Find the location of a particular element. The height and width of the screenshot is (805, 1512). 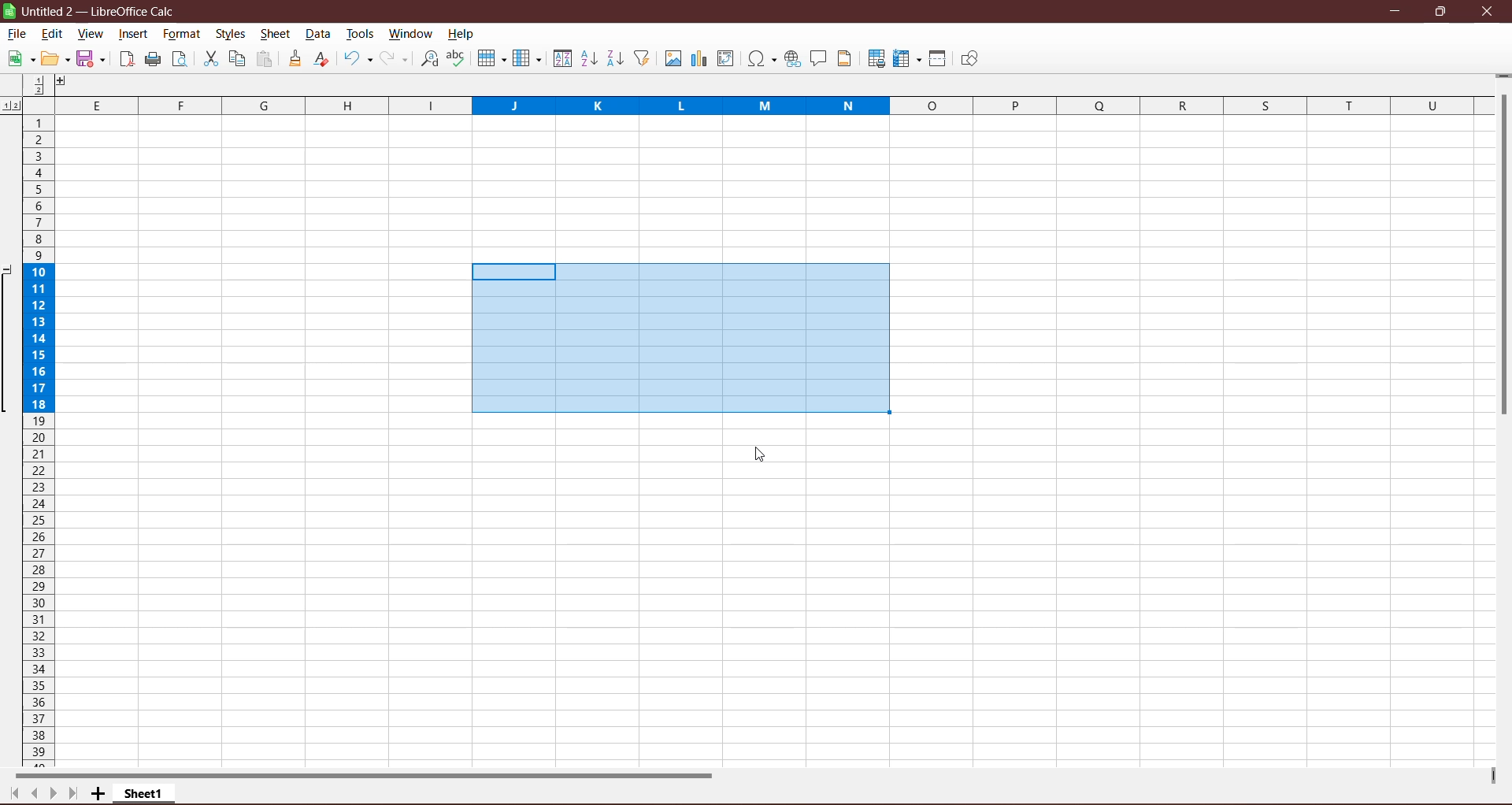

Data is located at coordinates (318, 34).